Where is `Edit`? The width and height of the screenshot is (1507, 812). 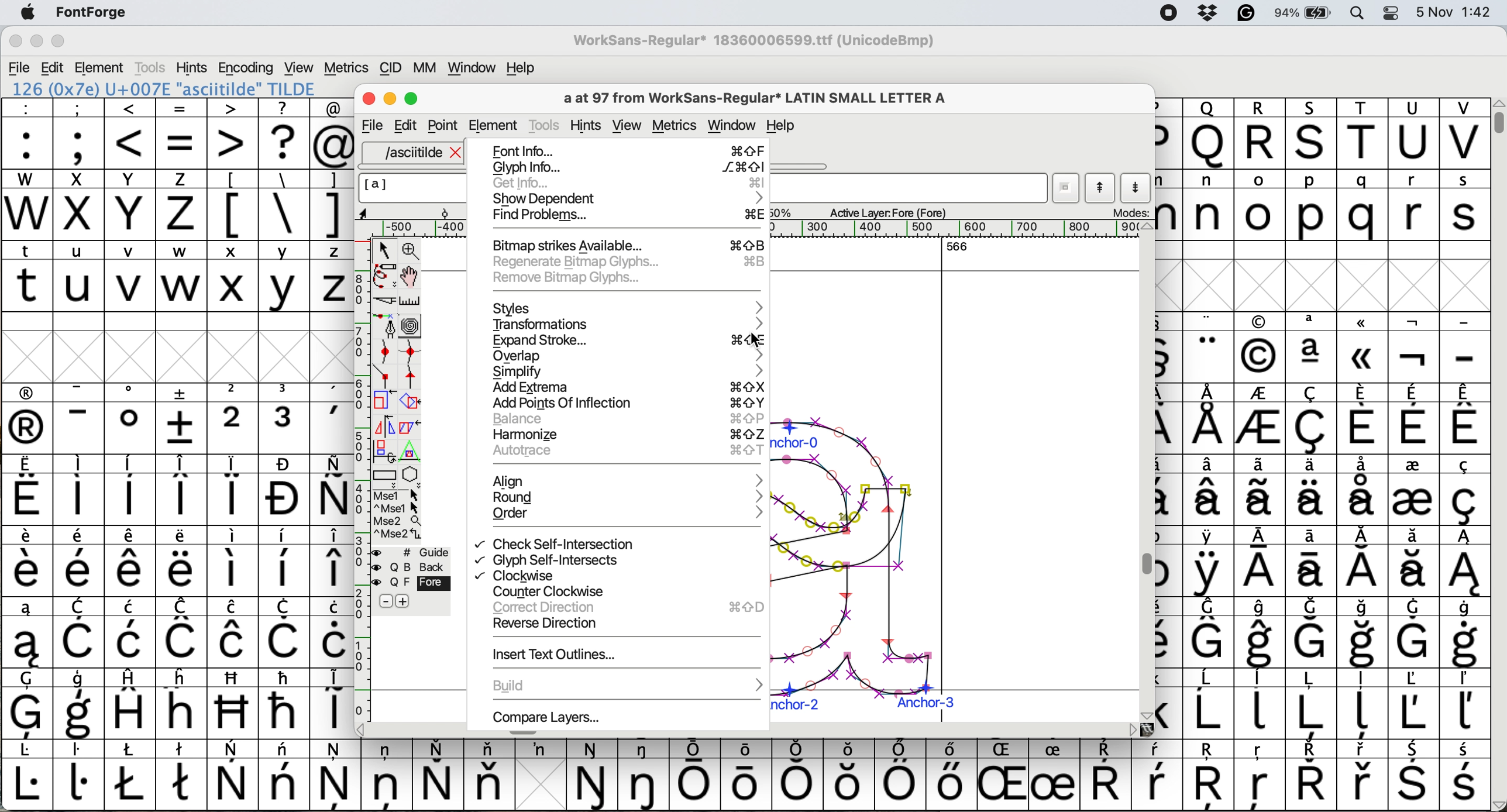 Edit is located at coordinates (405, 125).